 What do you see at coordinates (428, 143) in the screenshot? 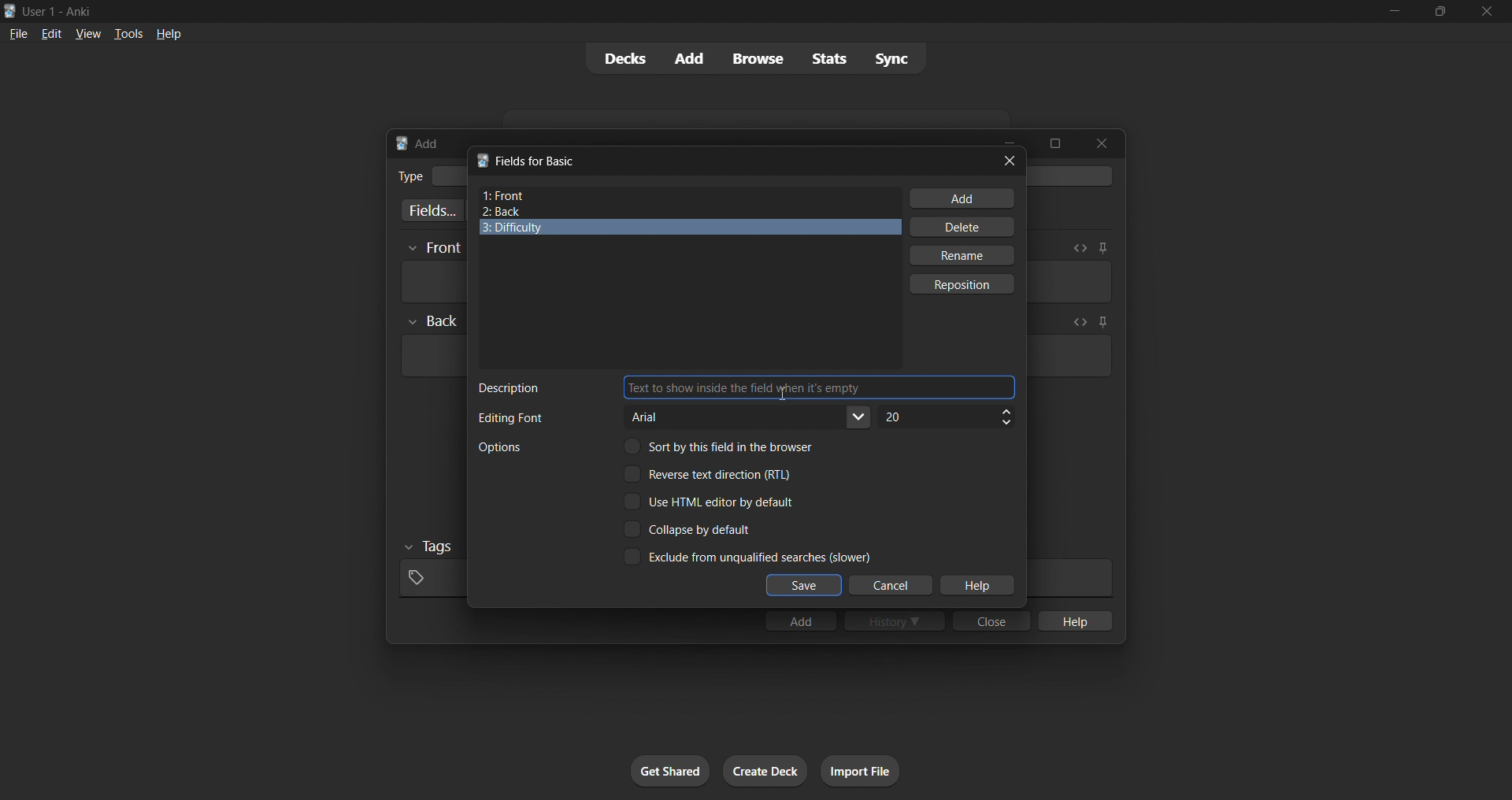
I see `add title bar` at bounding box center [428, 143].